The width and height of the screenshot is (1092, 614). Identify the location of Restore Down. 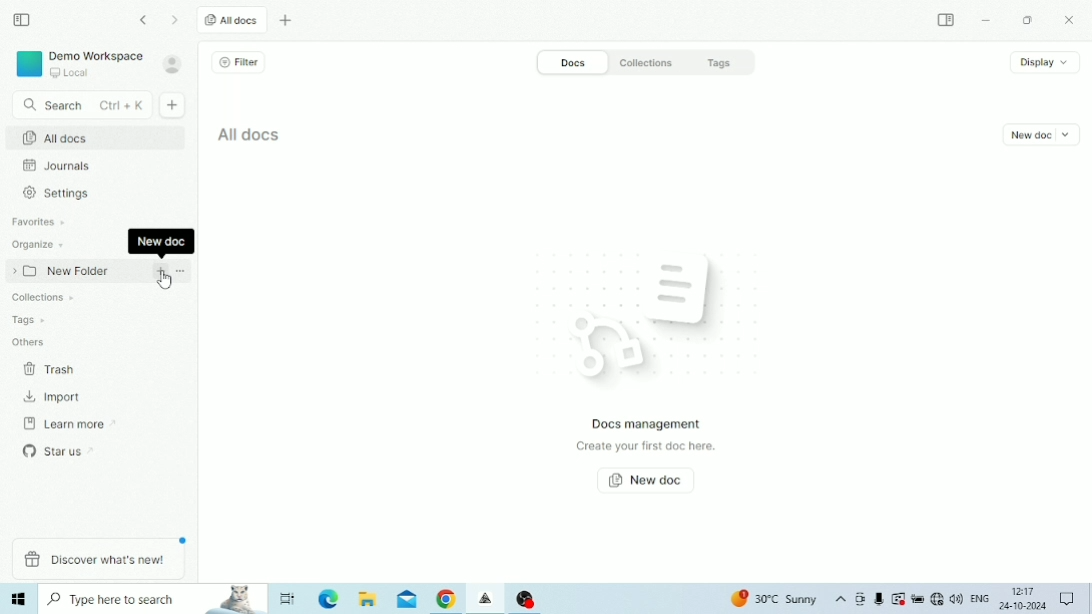
(1027, 21).